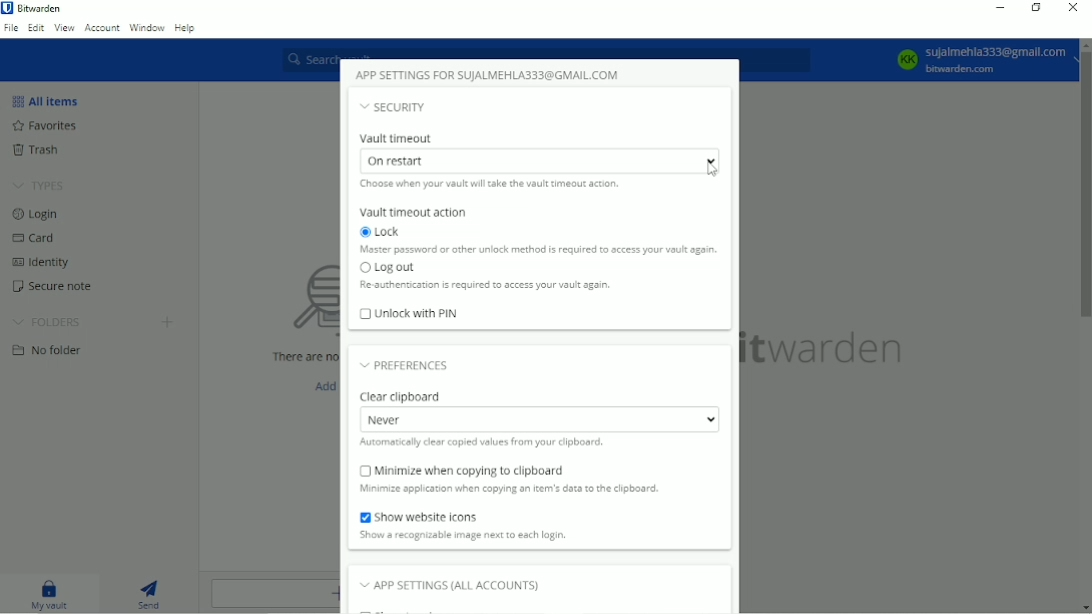 This screenshot has height=614, width=1092. What do you see at coordinates (51, 260) in the screenshot?
I see `Identity` at bounding box center [51, 260].